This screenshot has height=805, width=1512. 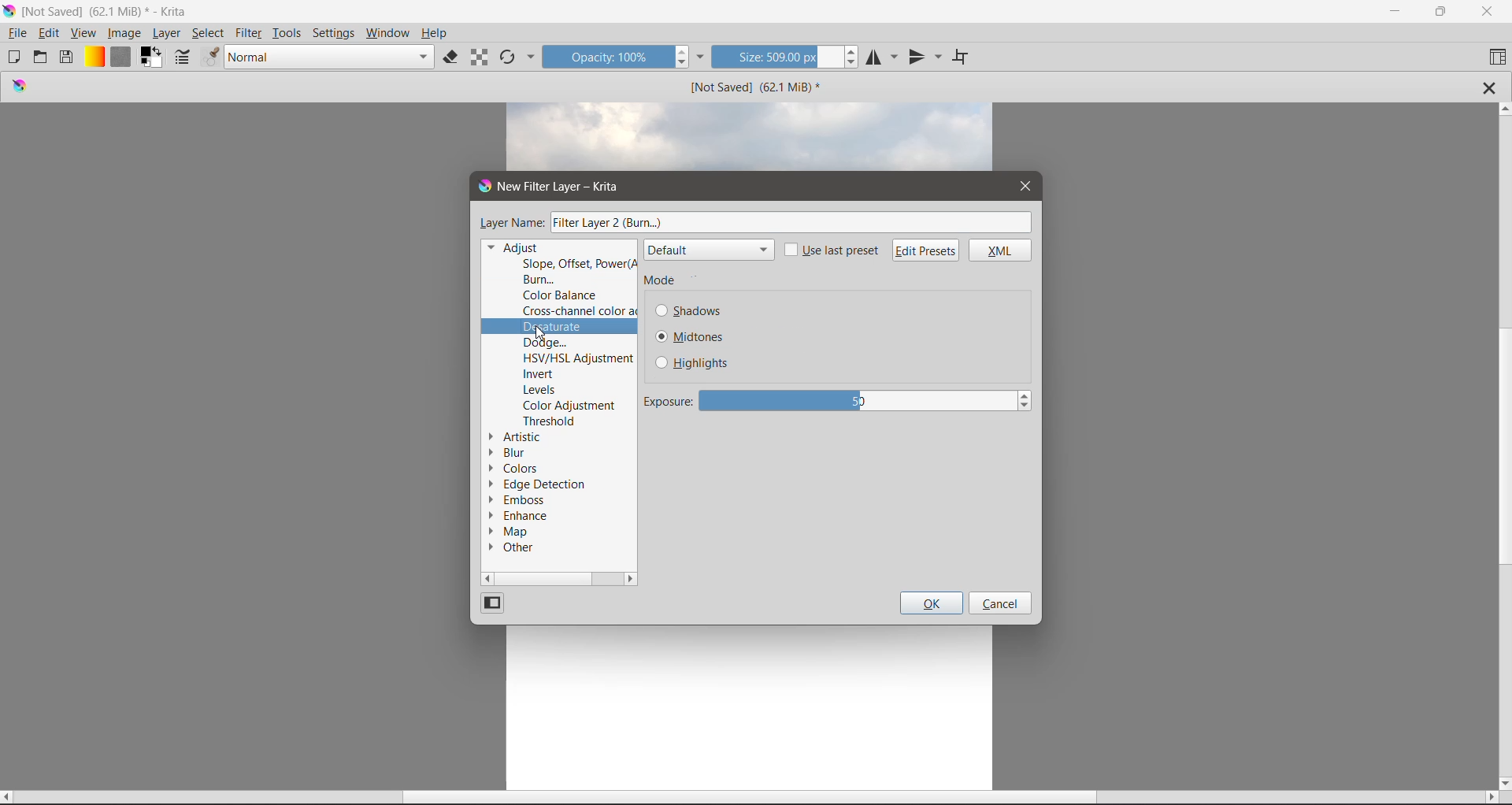 What do you see at coordinates (68, 57) in the screenshot?
I see `Save` at bounding box center [68, 57].